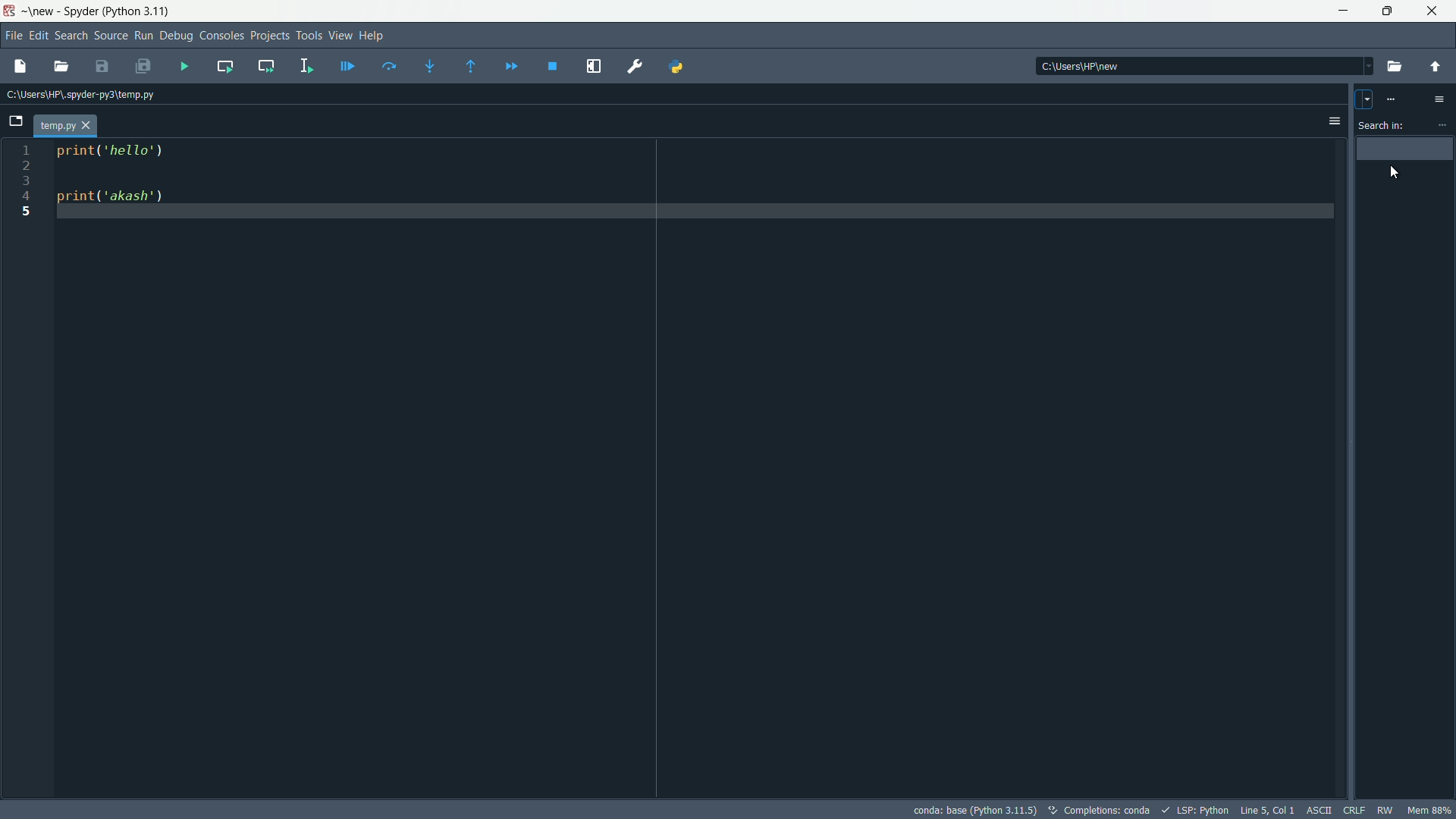 The image size is (1456, 819). Describe the element at coordinates (1390, 99) in the screenshot. I see `Find in file settings` at that location.